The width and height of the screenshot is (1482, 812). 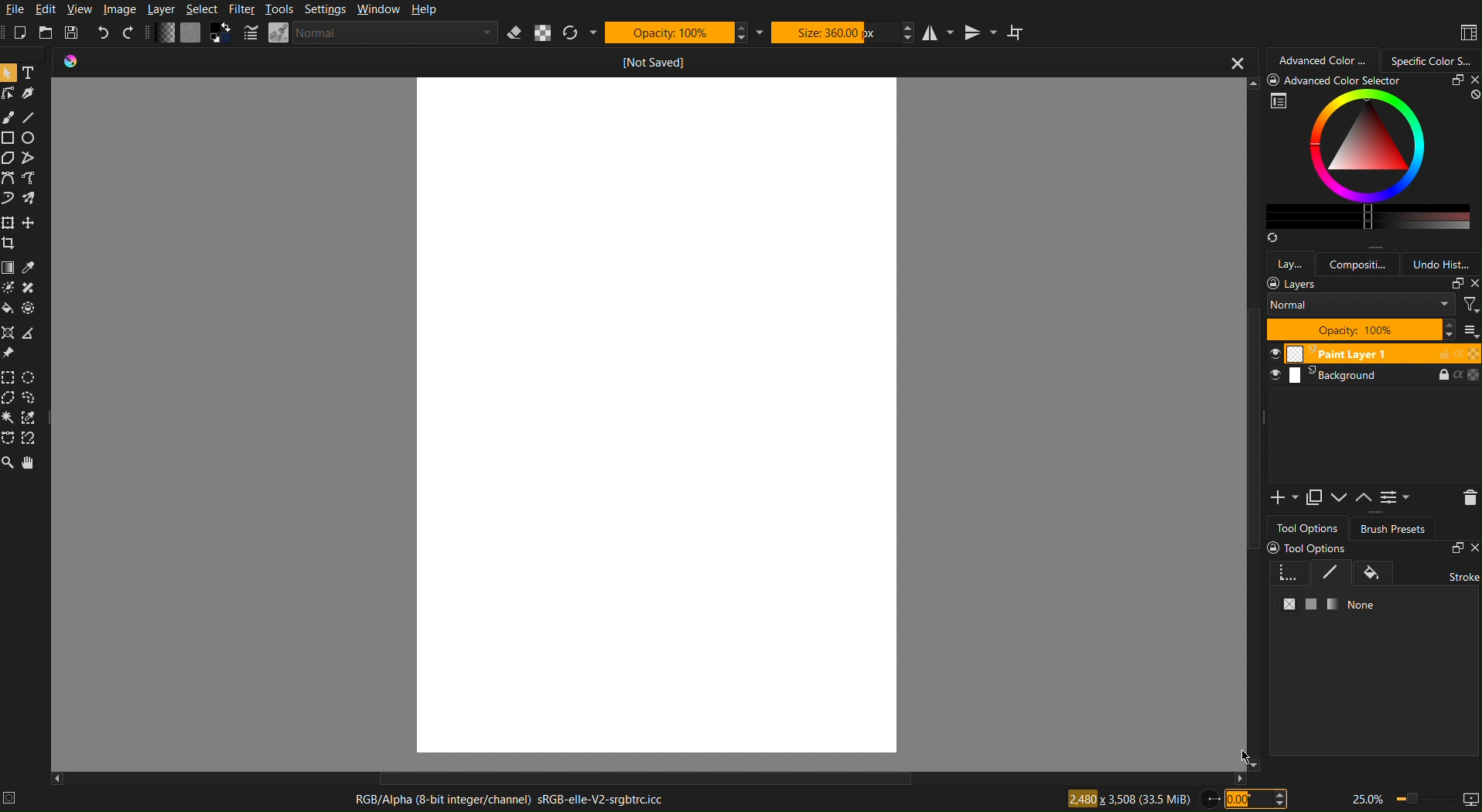 I want to click on Settings, so click(x=327, y=10).